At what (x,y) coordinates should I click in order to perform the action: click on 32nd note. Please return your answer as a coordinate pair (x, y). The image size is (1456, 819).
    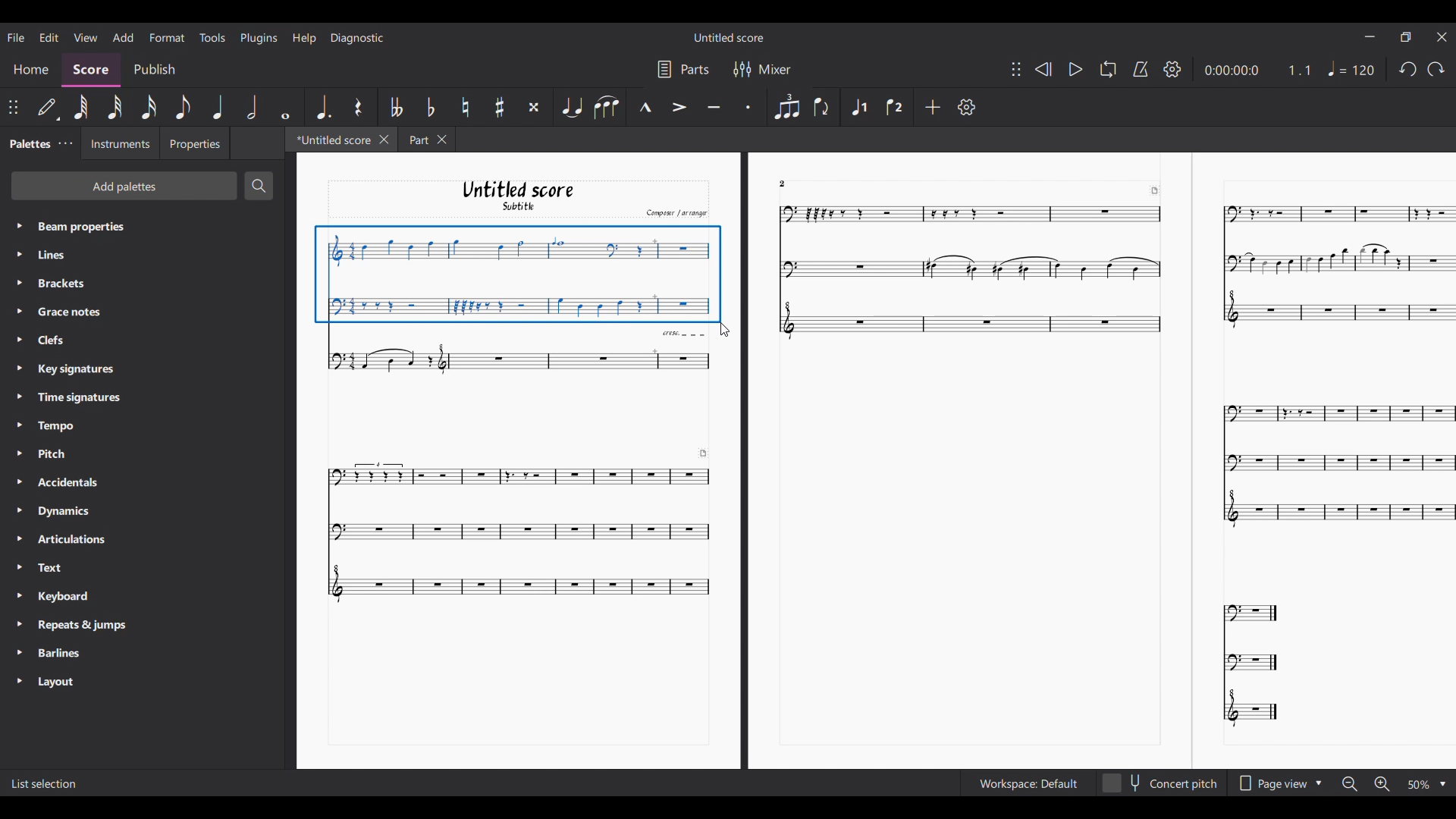
    Looking at the image, I should click on (116, 107).